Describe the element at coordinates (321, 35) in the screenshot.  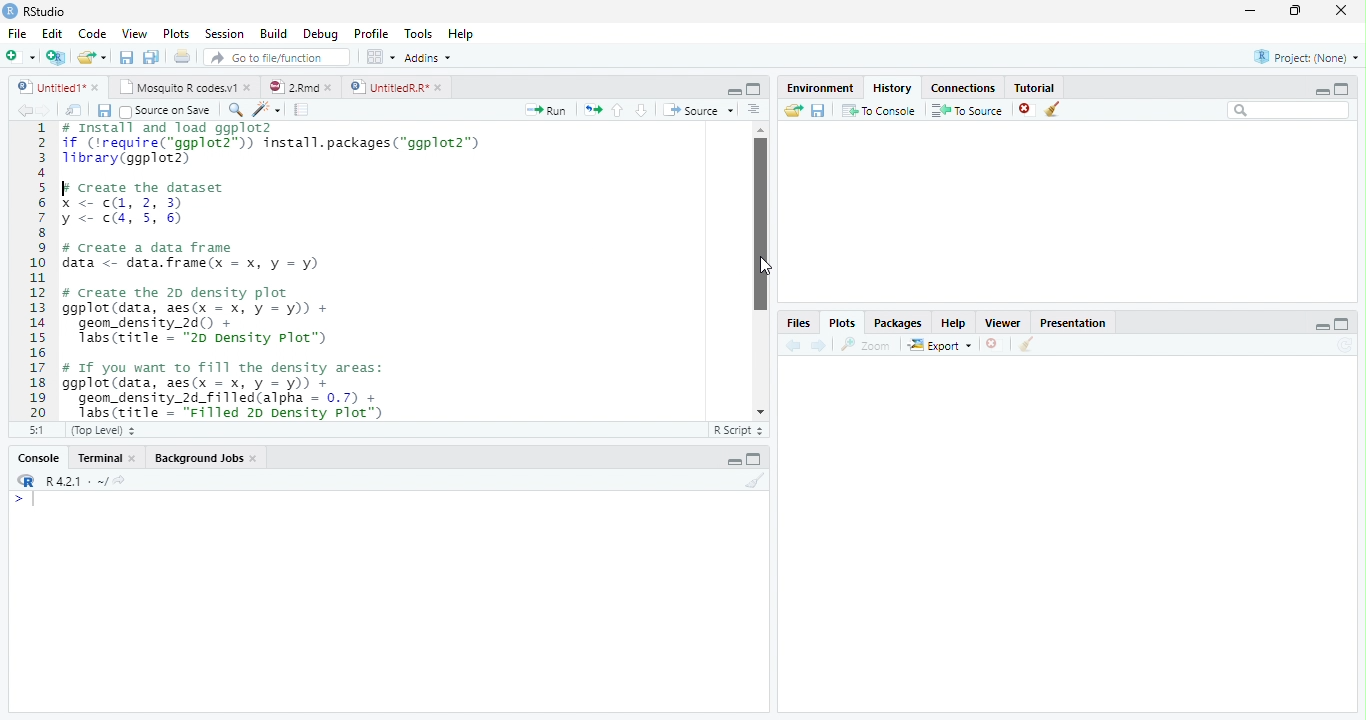
I see `Debug` at that location.